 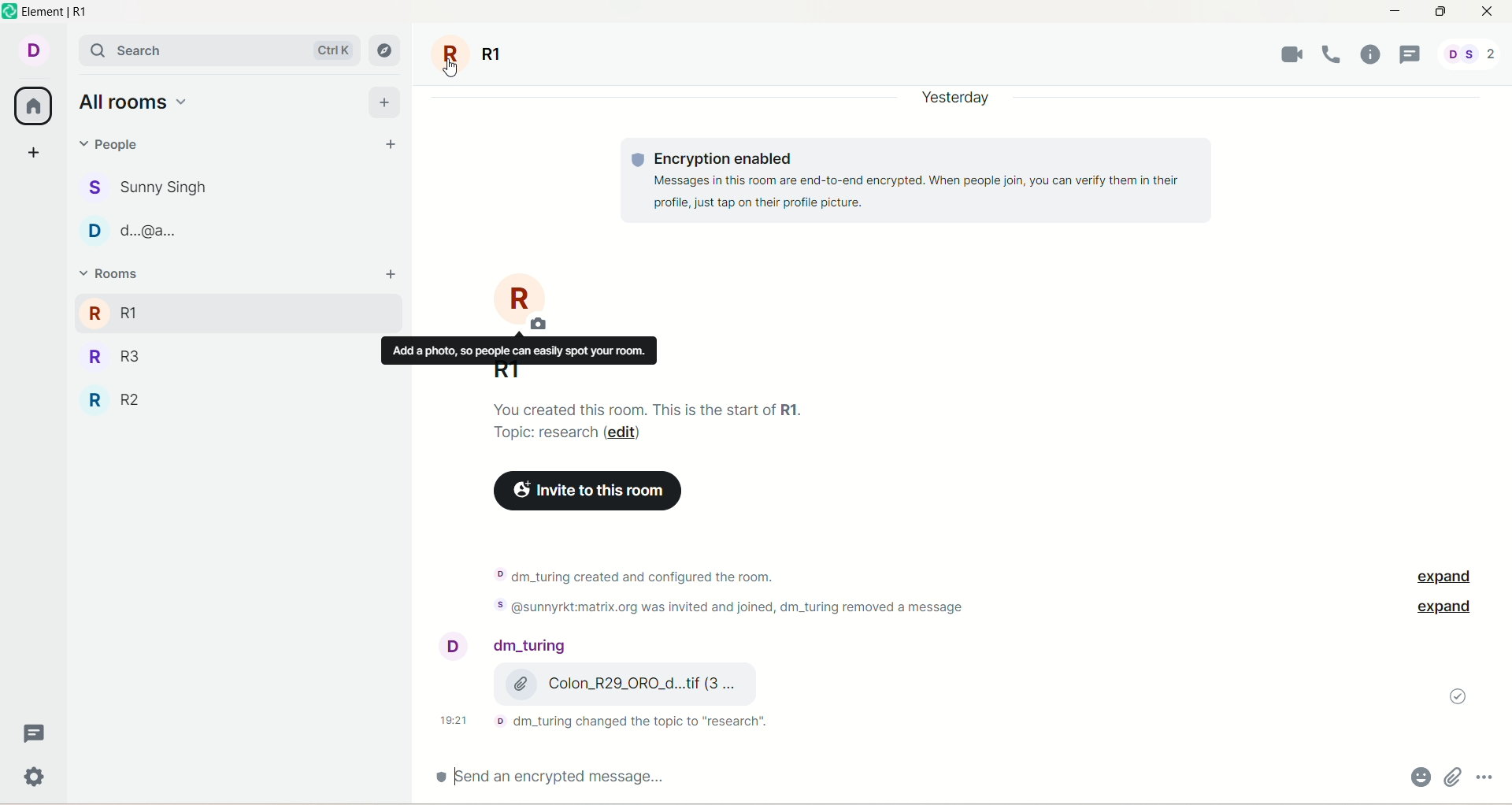 I want to click on , so click(x=37, y=781).